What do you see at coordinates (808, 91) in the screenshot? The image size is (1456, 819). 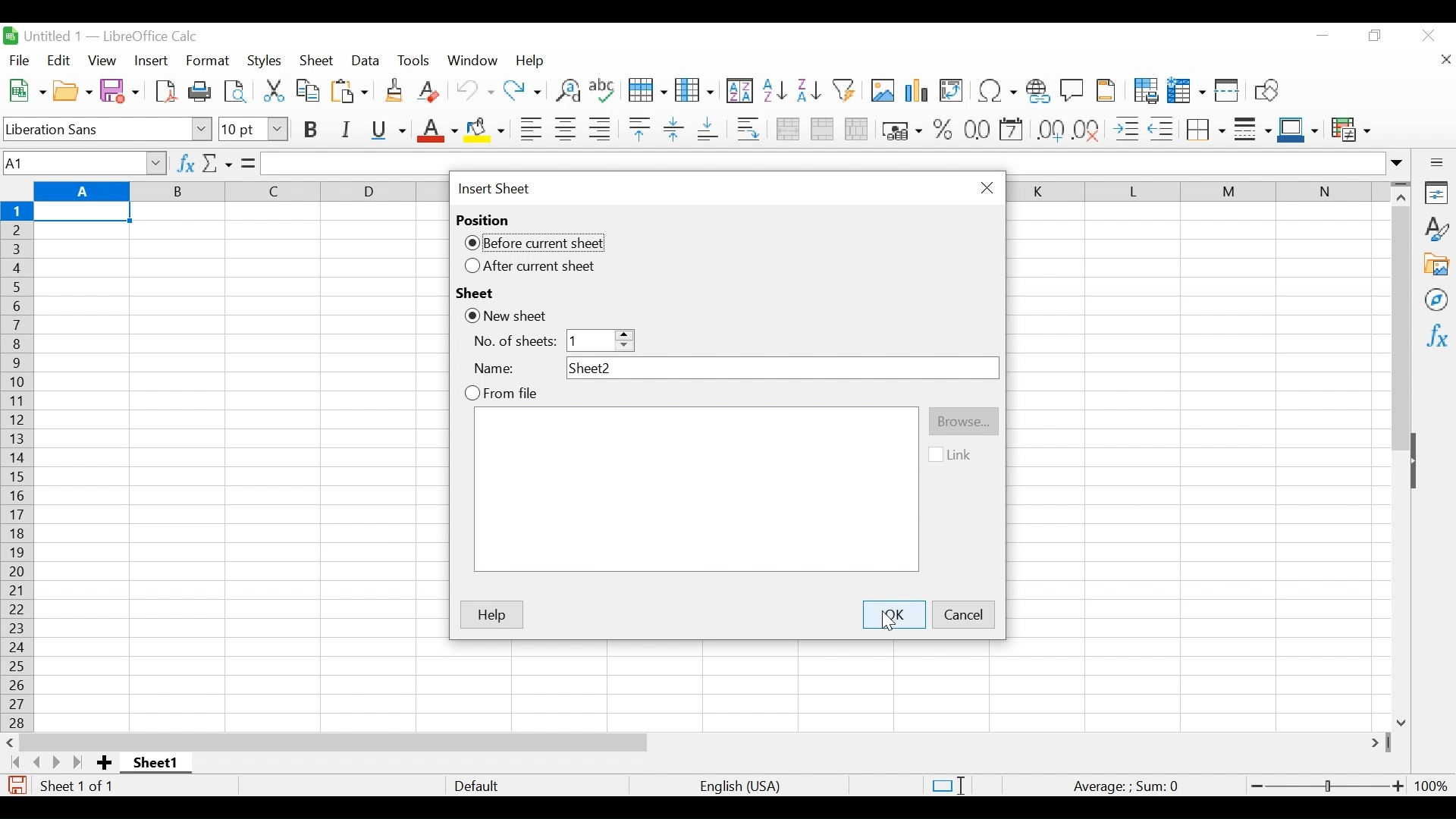 I see `Sort Descending` at bounding box center [808, 91].